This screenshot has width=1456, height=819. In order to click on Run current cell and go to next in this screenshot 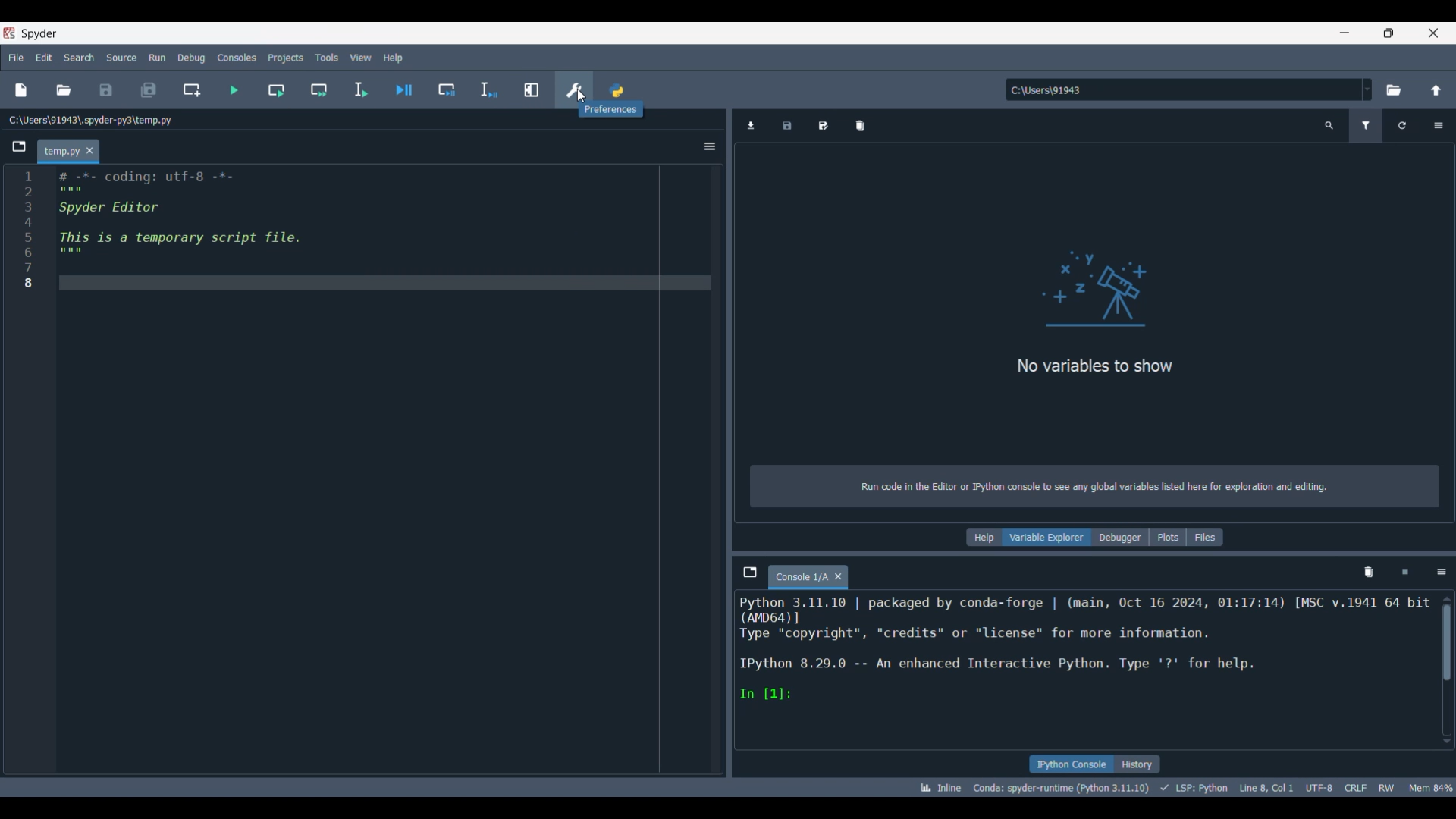, I will do `click(319, 90)`.